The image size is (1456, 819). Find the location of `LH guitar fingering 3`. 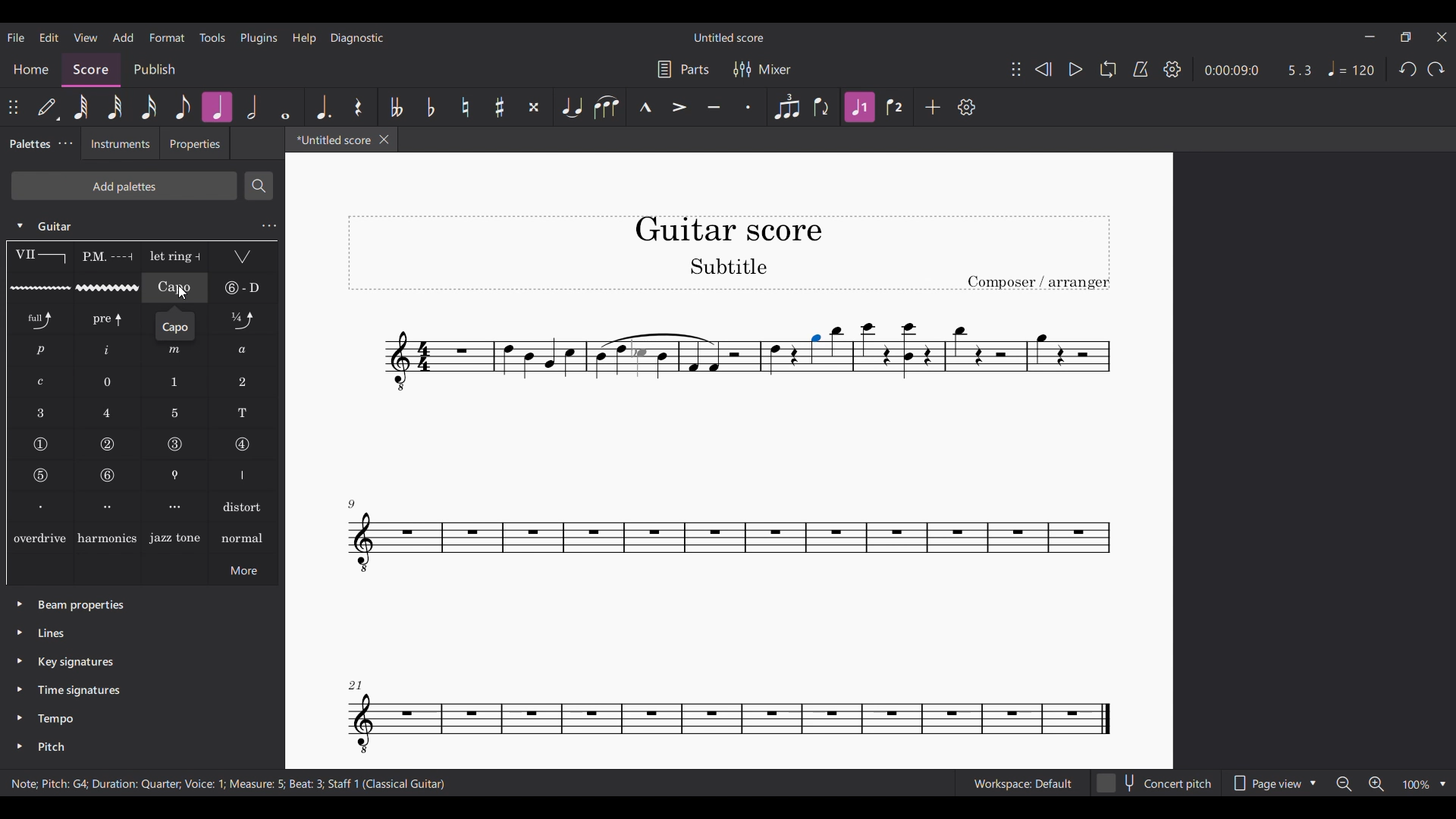

LH guitar fingering 3 is located at coordinates (40, 413).